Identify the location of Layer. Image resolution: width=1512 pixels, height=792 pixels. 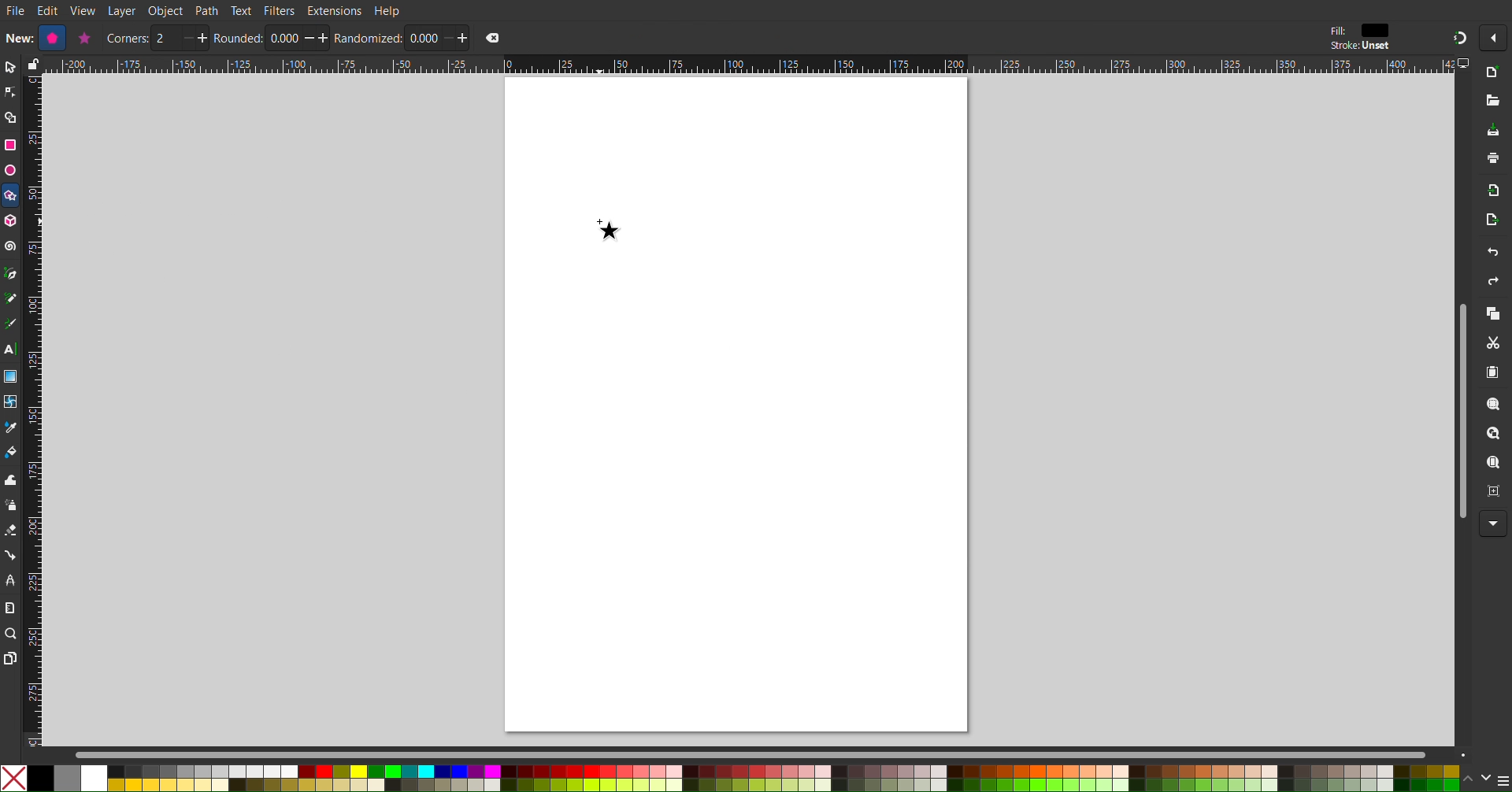
(121, 11).